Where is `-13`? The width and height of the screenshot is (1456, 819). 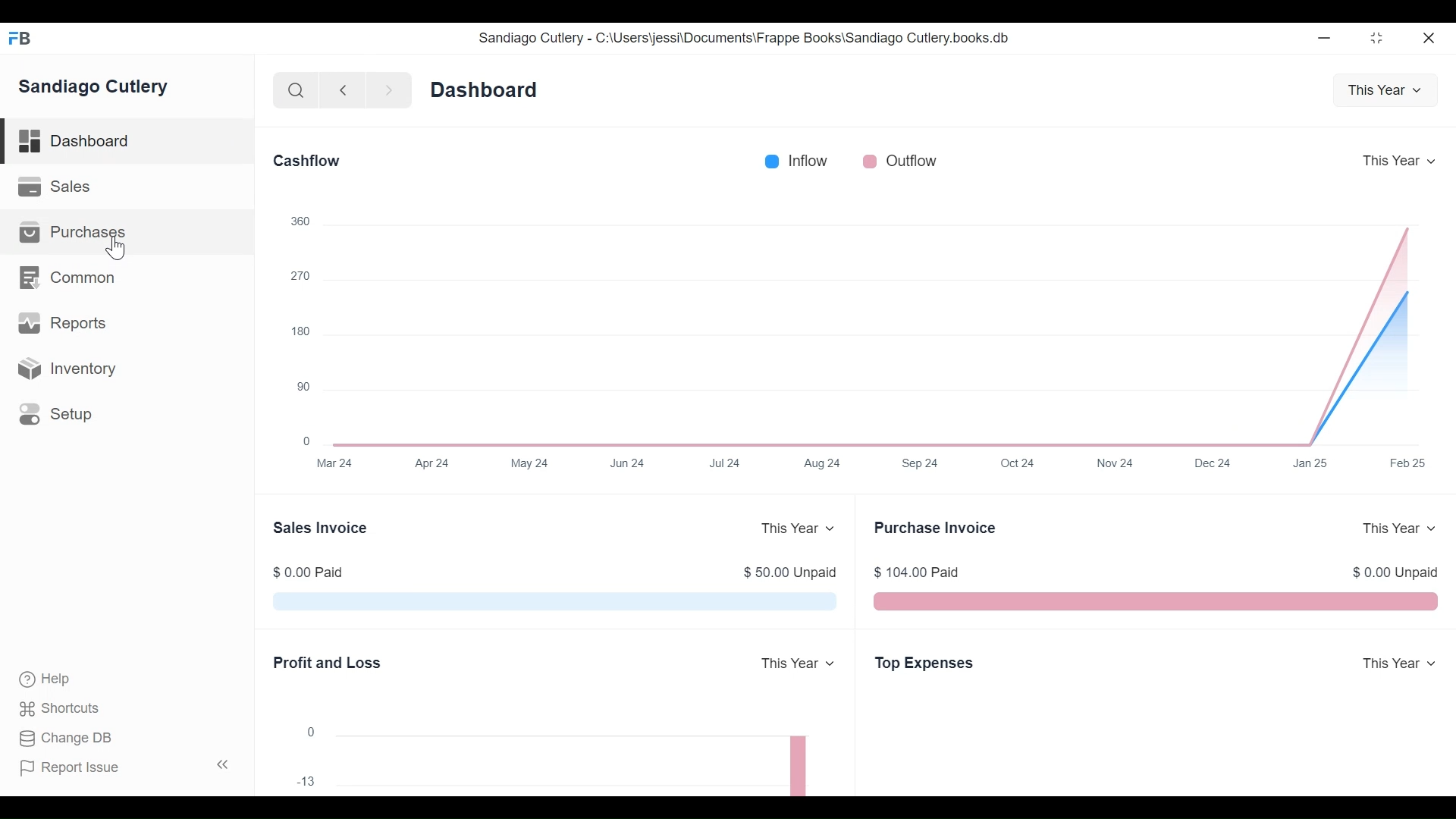 -13 is located at coordinates (310, 781).